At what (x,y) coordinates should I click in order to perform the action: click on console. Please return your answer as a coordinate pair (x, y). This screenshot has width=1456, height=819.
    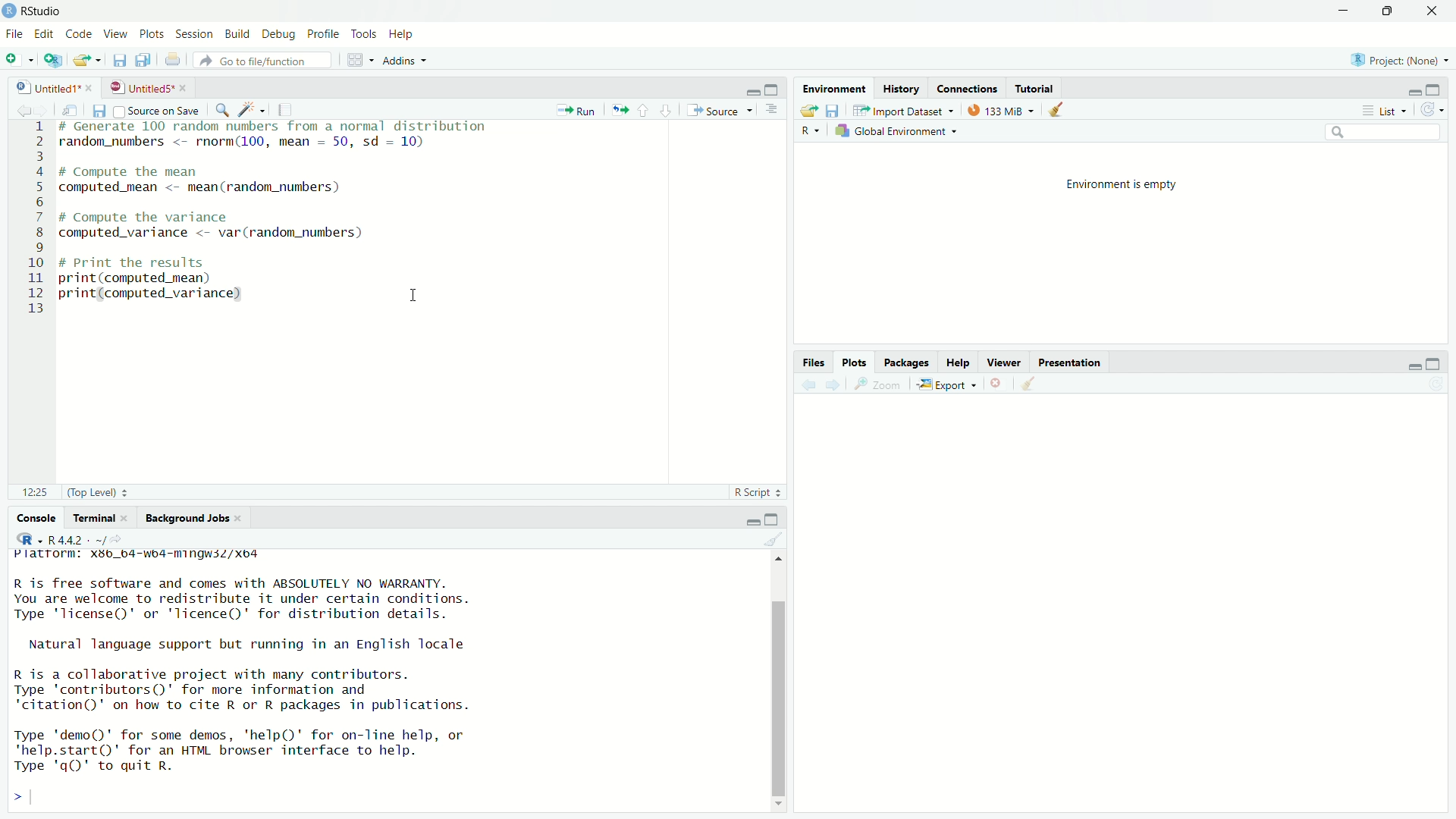
    Looking at the image, I should click on (31, 518).